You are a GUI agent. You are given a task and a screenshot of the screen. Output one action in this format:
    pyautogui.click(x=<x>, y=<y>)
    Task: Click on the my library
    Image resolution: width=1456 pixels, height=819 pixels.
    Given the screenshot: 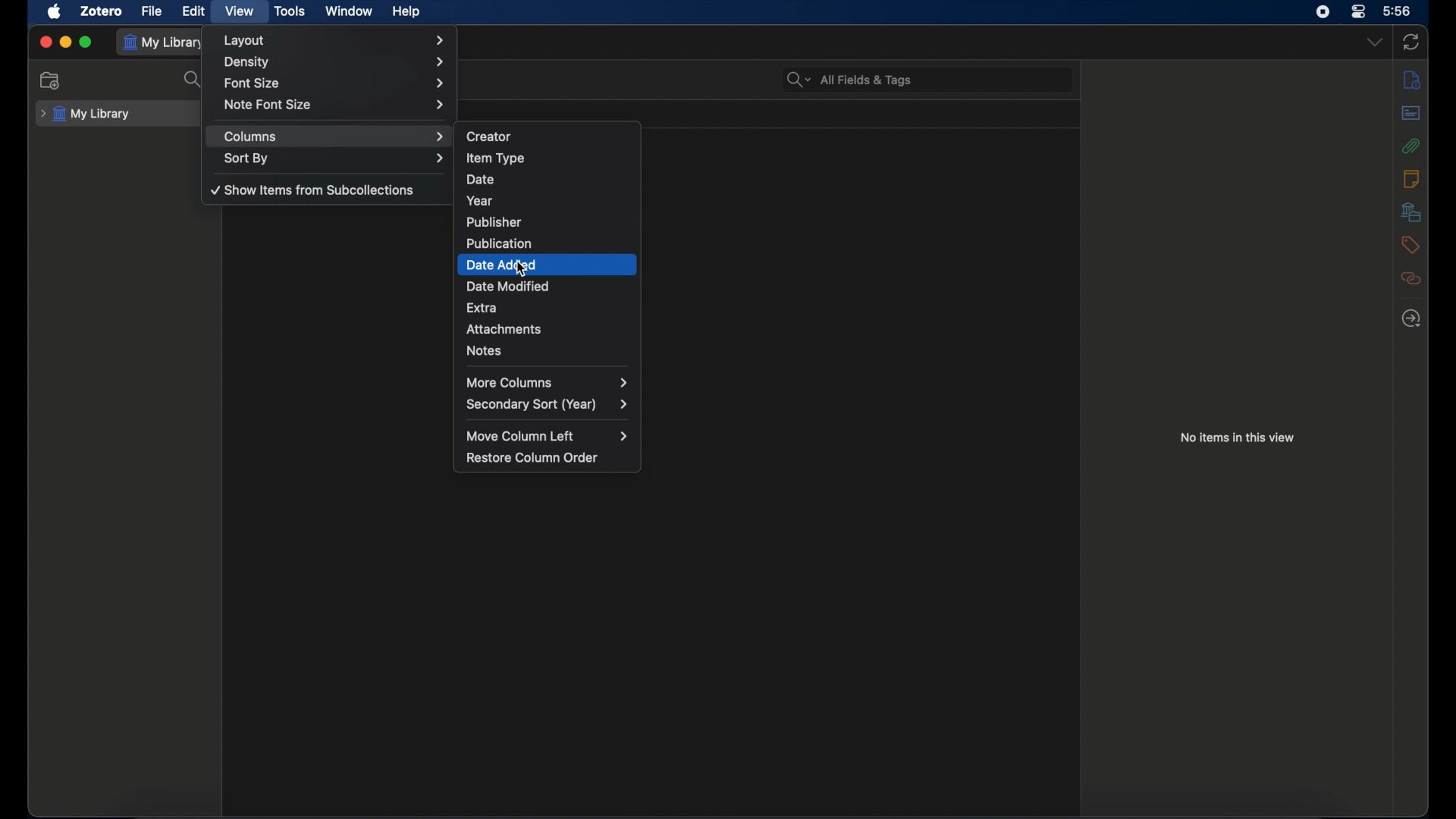 What is the action you would take?
    pyautogui.click(x=86, y=115)
    